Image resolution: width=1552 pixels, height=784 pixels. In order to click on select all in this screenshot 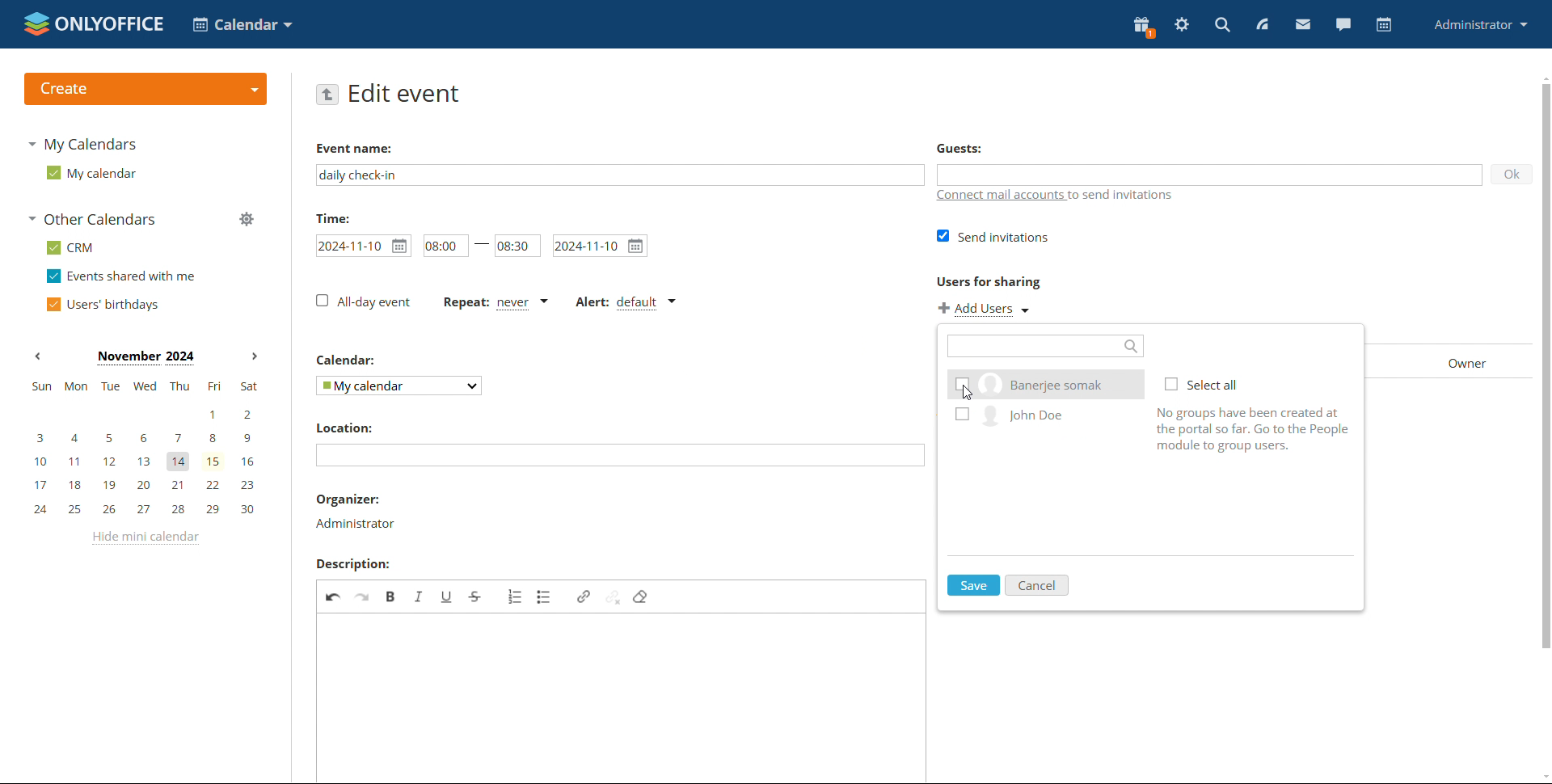, I will do `click(1206, 384)`.